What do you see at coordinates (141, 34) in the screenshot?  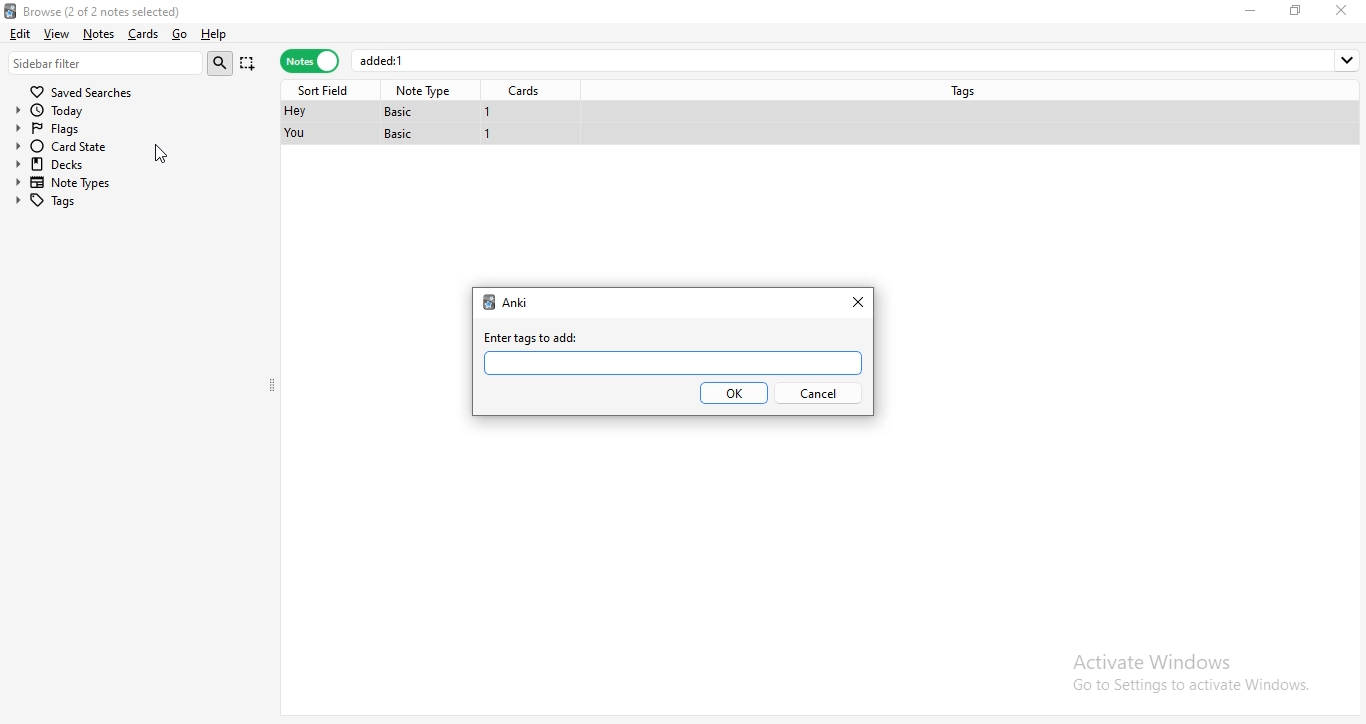 I see `cards` at bounding box center [141, 34].